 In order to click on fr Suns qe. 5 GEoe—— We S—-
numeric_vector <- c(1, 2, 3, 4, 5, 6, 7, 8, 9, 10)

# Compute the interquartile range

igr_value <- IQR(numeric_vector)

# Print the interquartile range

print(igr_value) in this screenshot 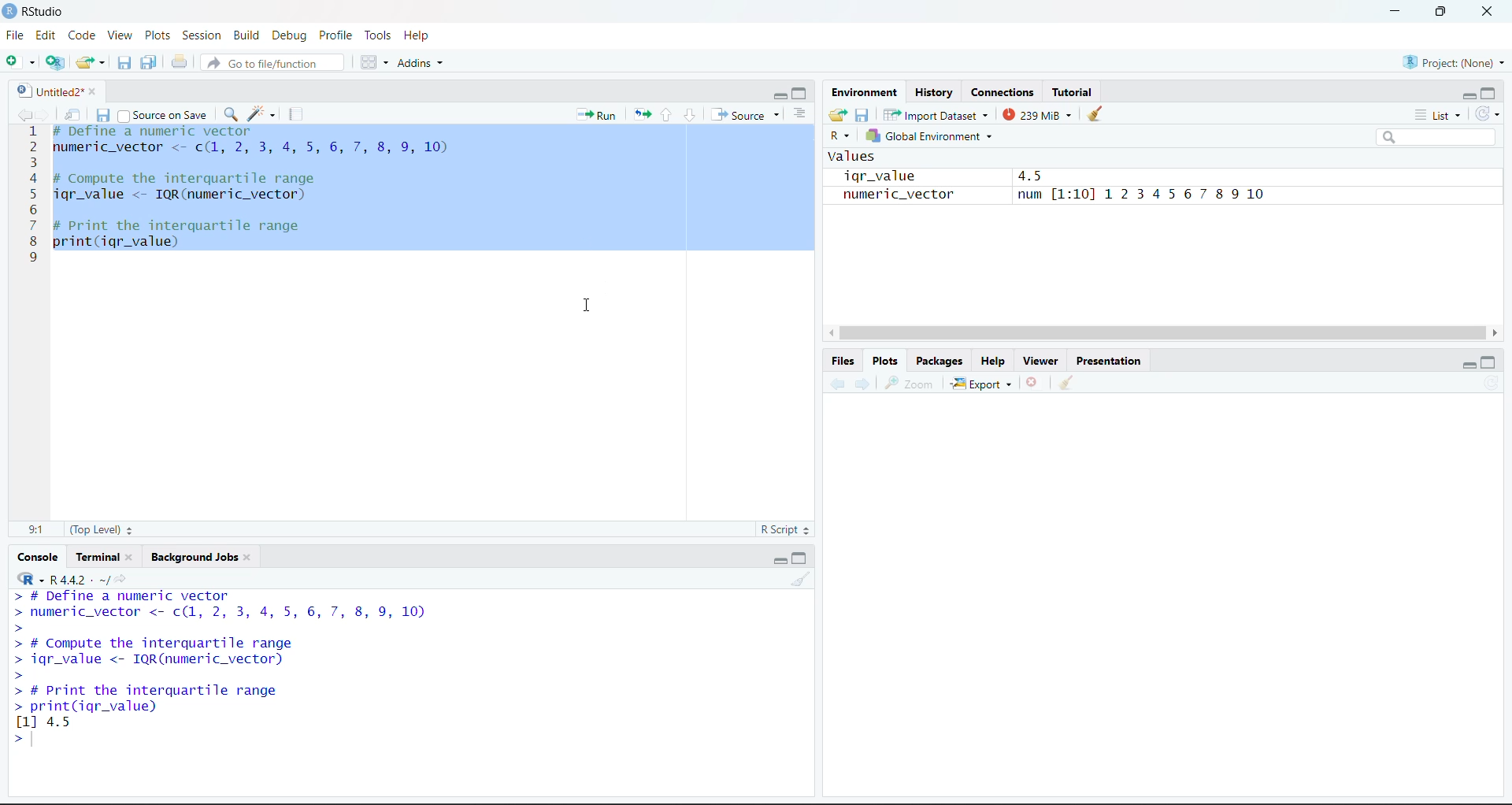, I will do `click(272, 199)`.